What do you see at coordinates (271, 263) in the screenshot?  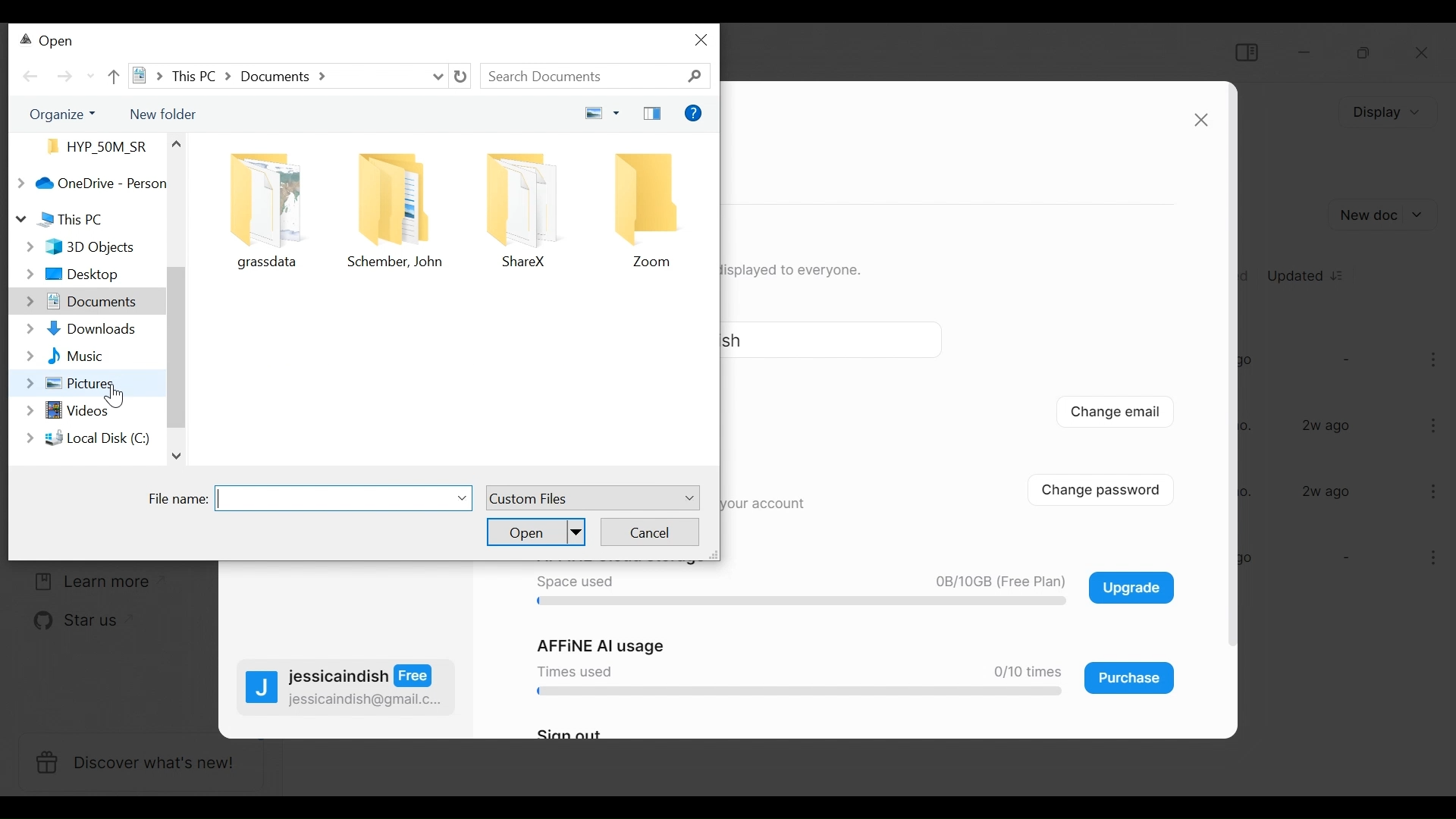 I see `grassdata` at bounding box center [271, 263].